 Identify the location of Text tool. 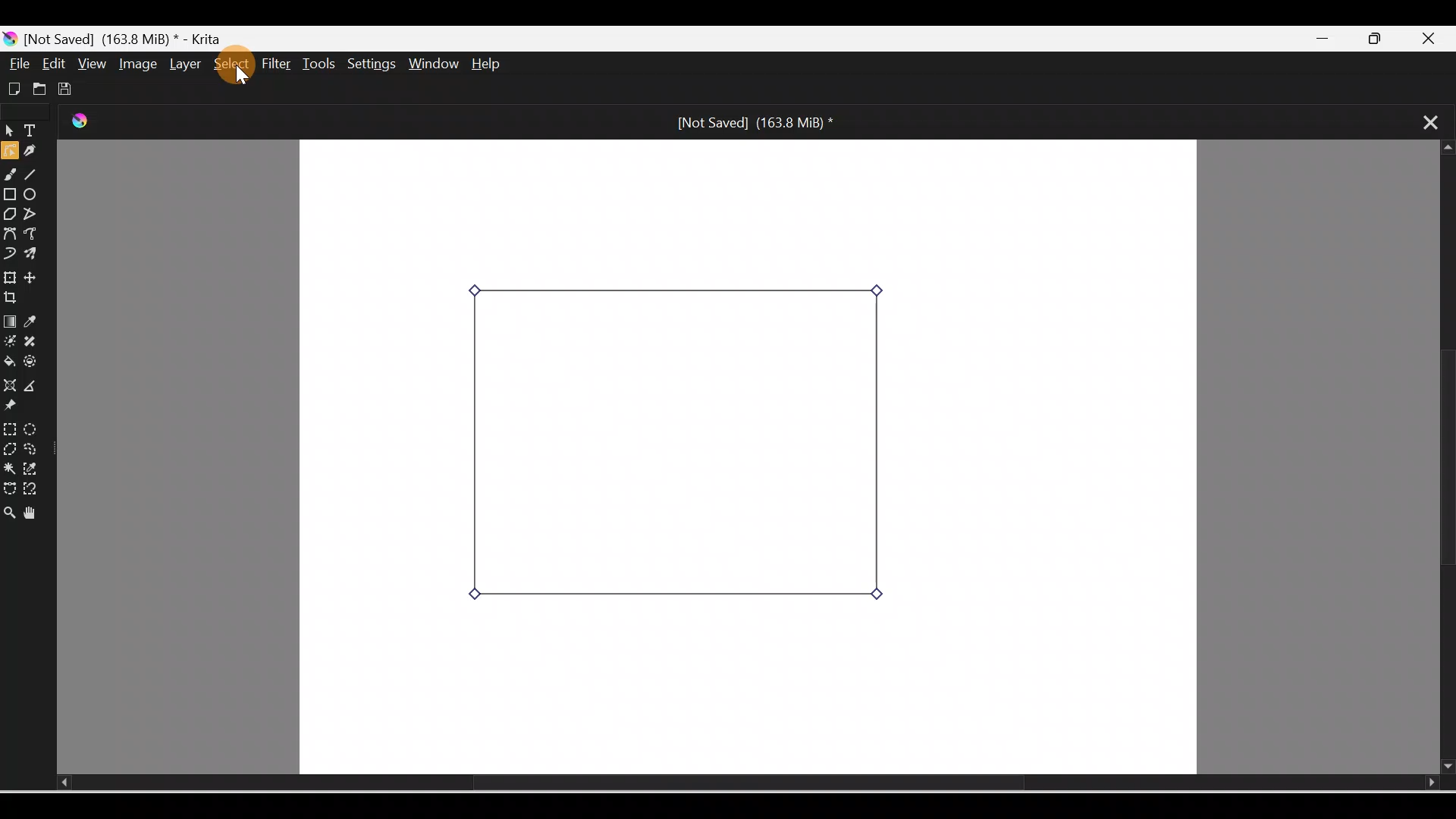
(33, 132).